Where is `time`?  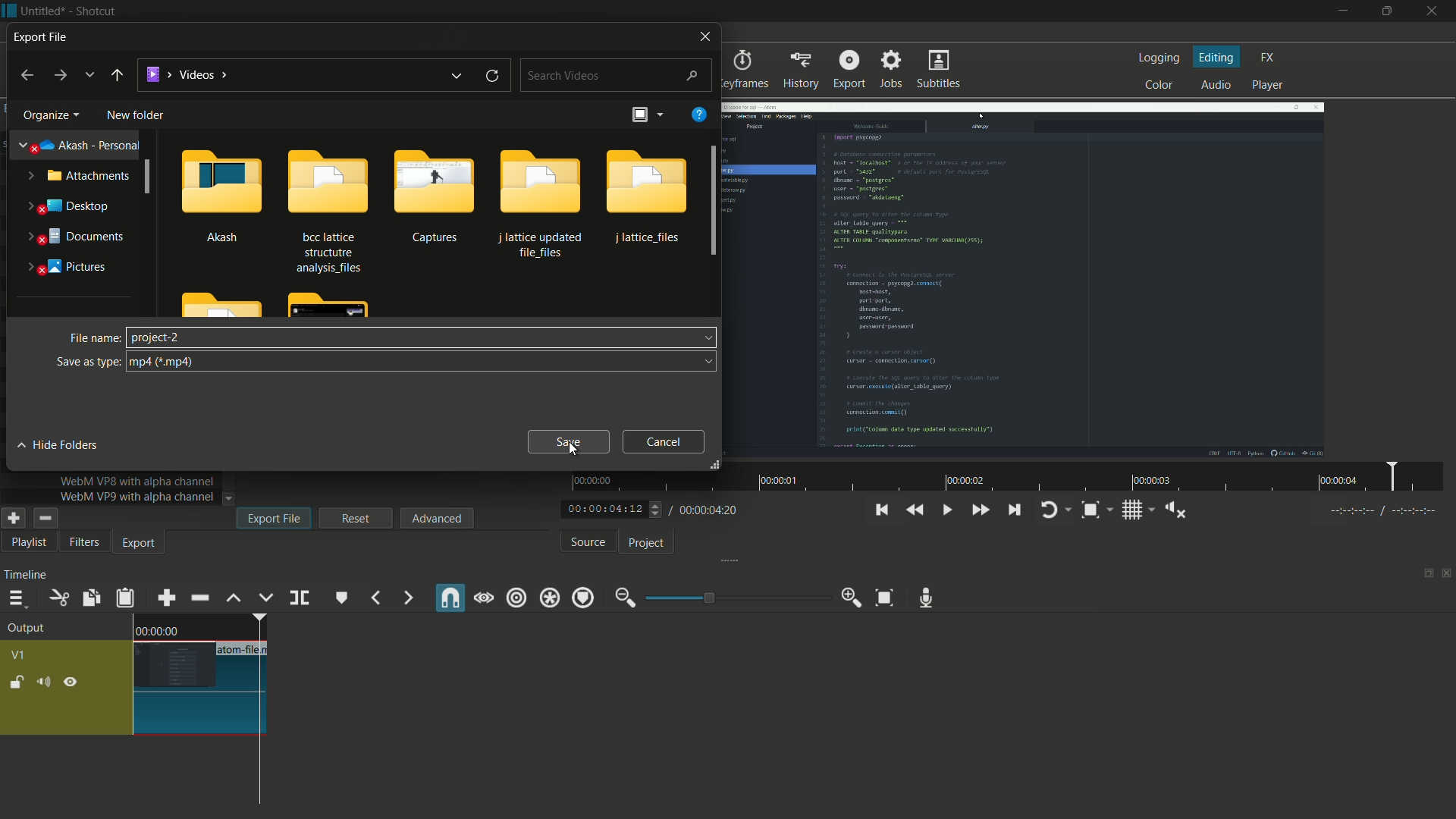
time is located at coordinates (157, 630).